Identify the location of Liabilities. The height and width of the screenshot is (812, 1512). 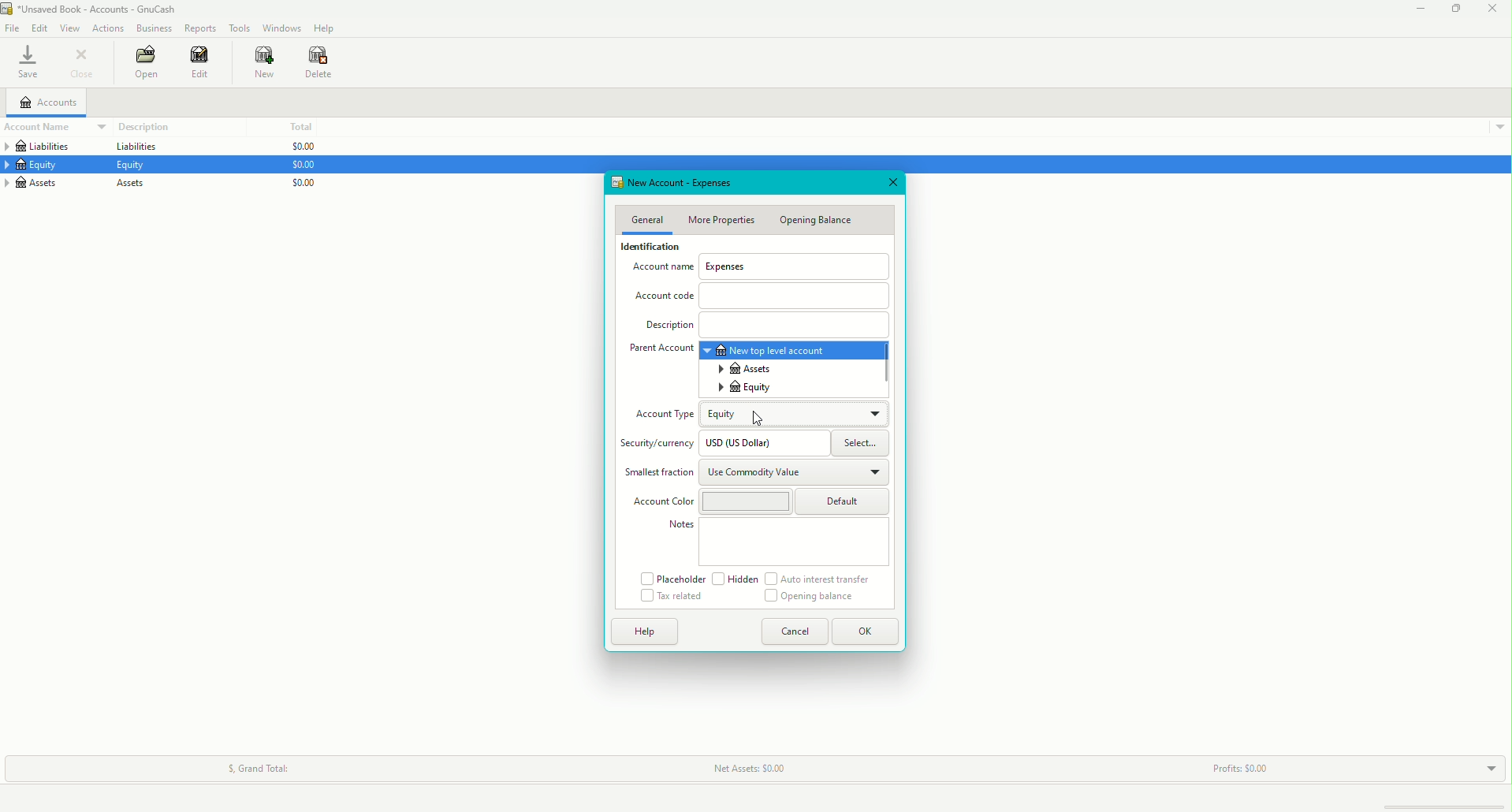
(134, 147).